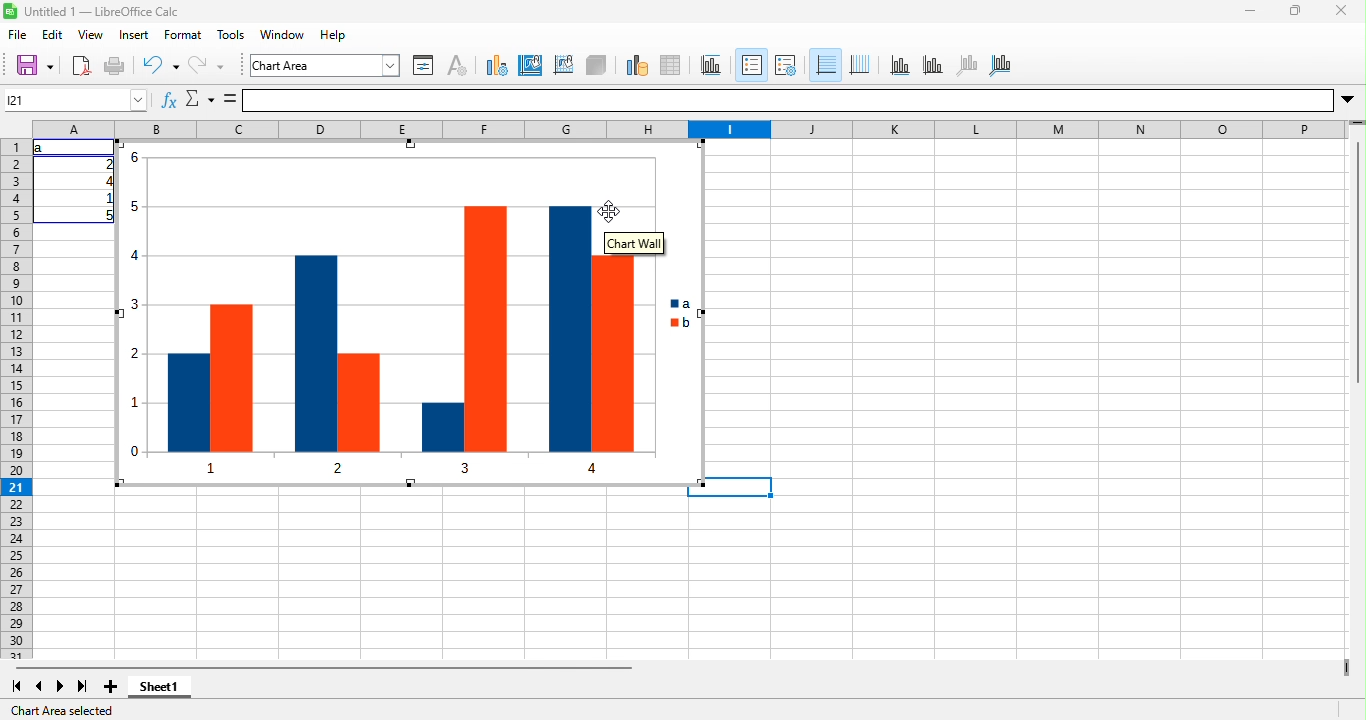 The image size is (1366, 720). I want to click on help, so click(333, 34).